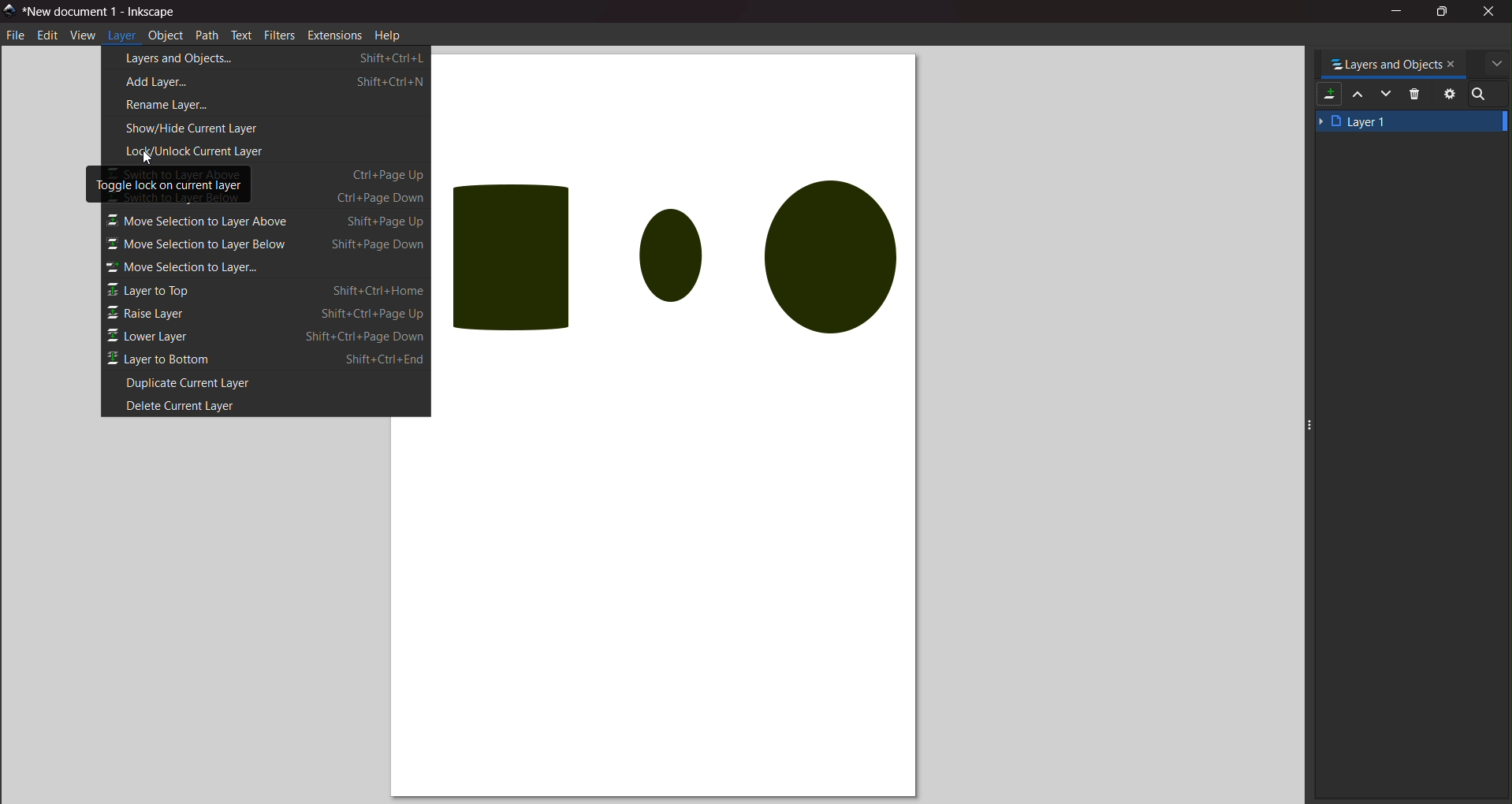  Describe the element at coordinates (1411, 121) in the screenshot. I see `layer 1` at that location.